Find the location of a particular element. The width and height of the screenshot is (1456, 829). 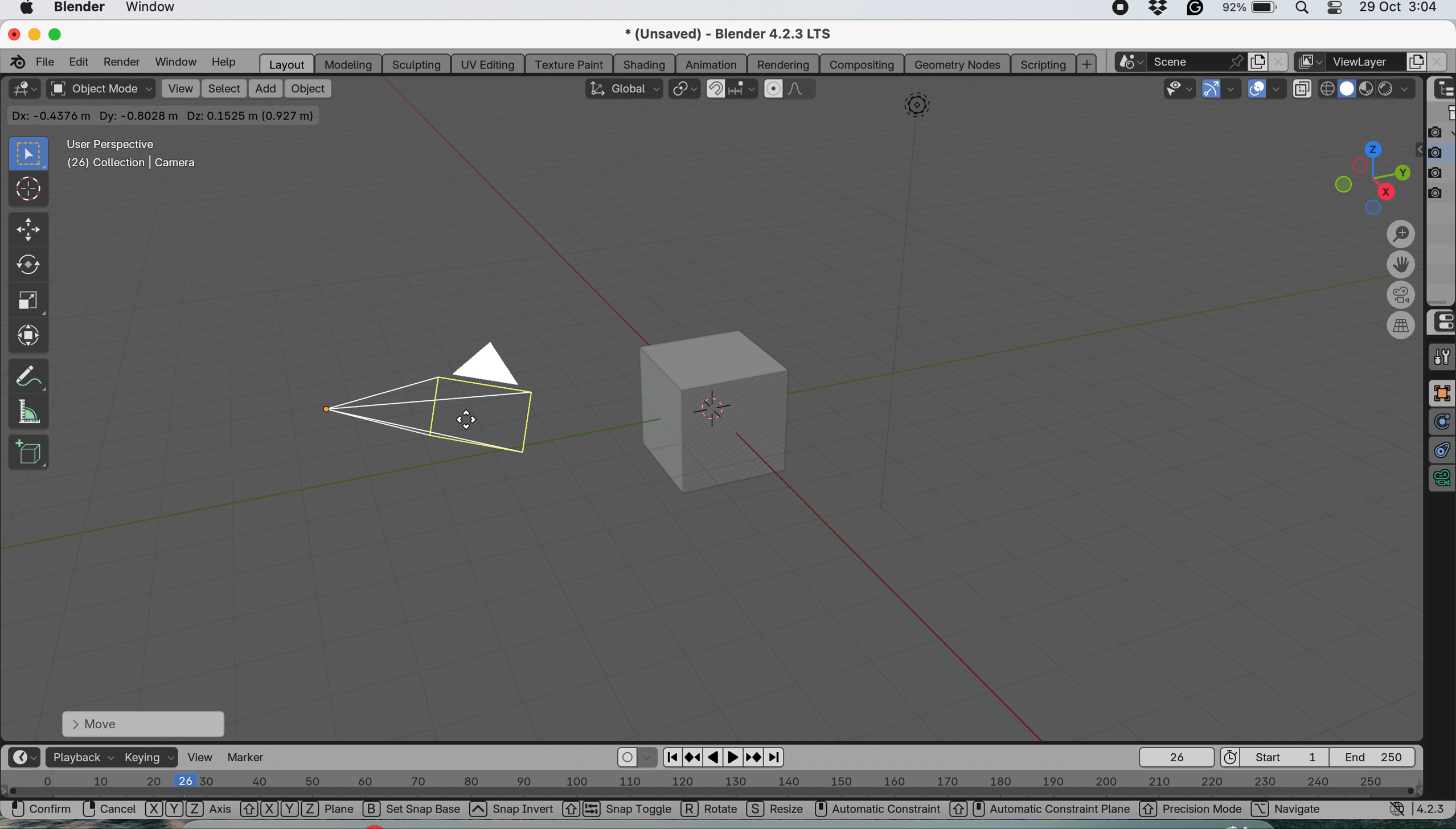

keying is located at coordinates (150, 758).